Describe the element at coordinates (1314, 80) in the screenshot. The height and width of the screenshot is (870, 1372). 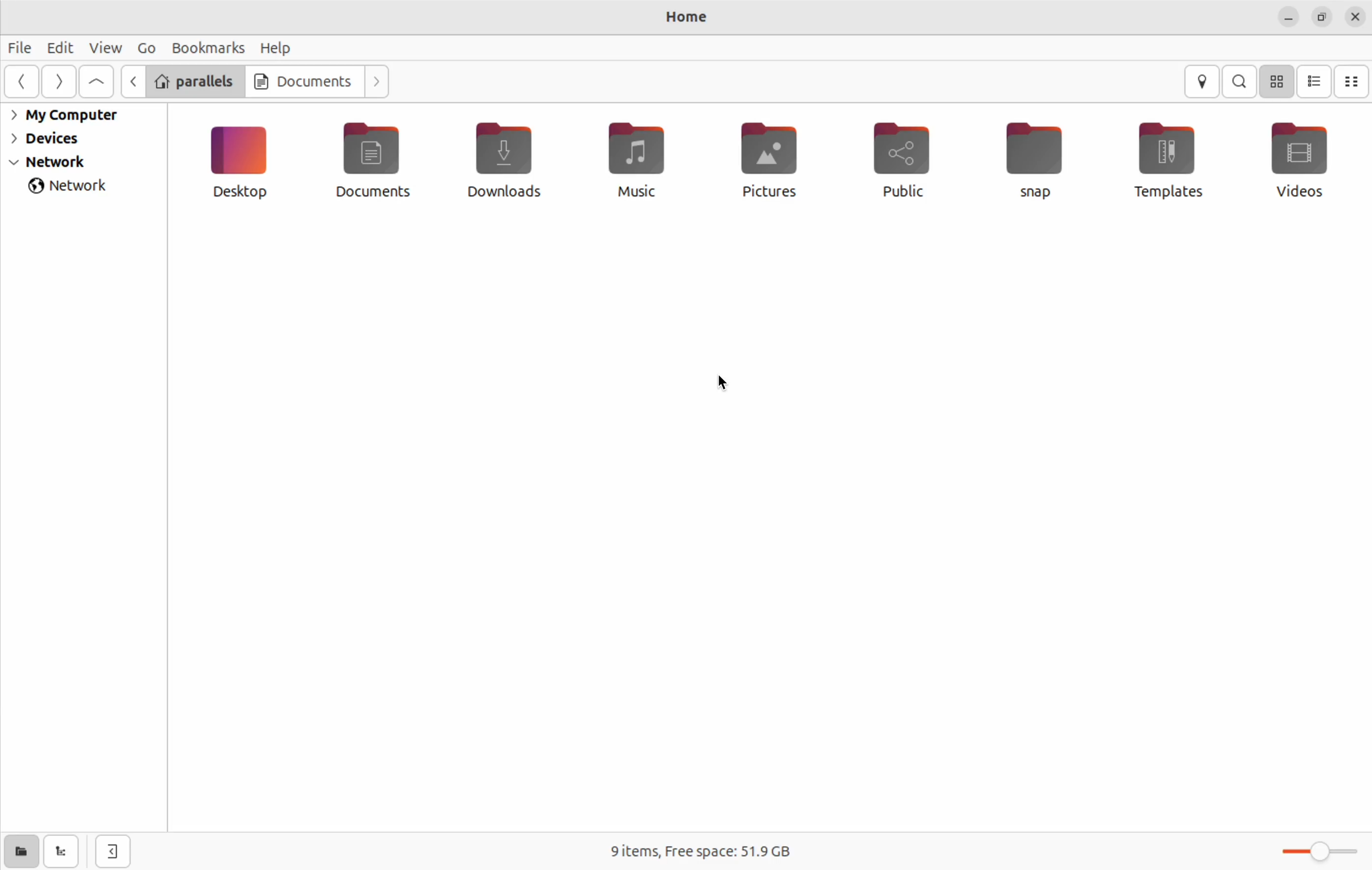
I see `bullet view` at that location.